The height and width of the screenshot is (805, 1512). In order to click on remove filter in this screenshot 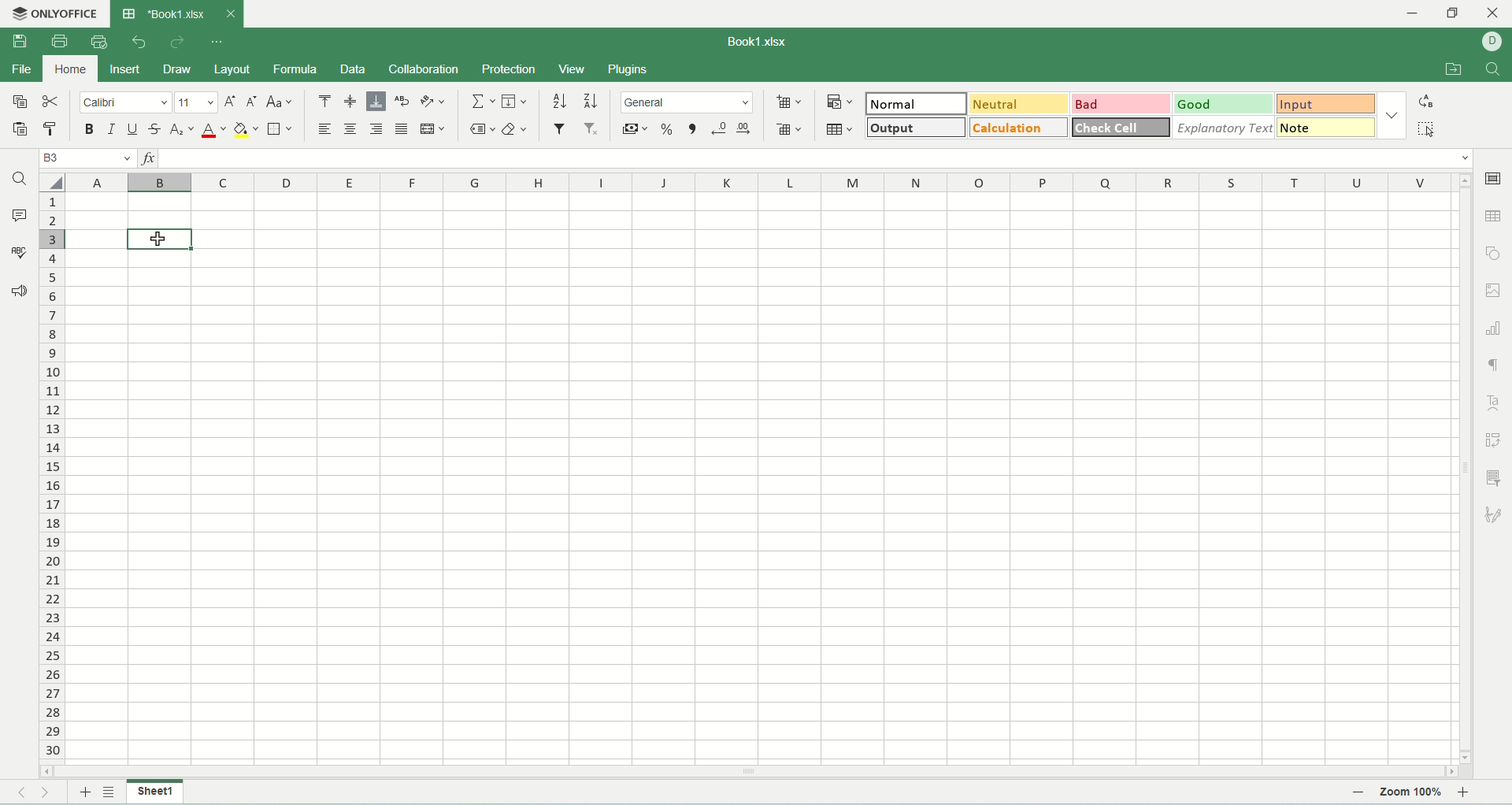, I will do `click(593, 128)`.